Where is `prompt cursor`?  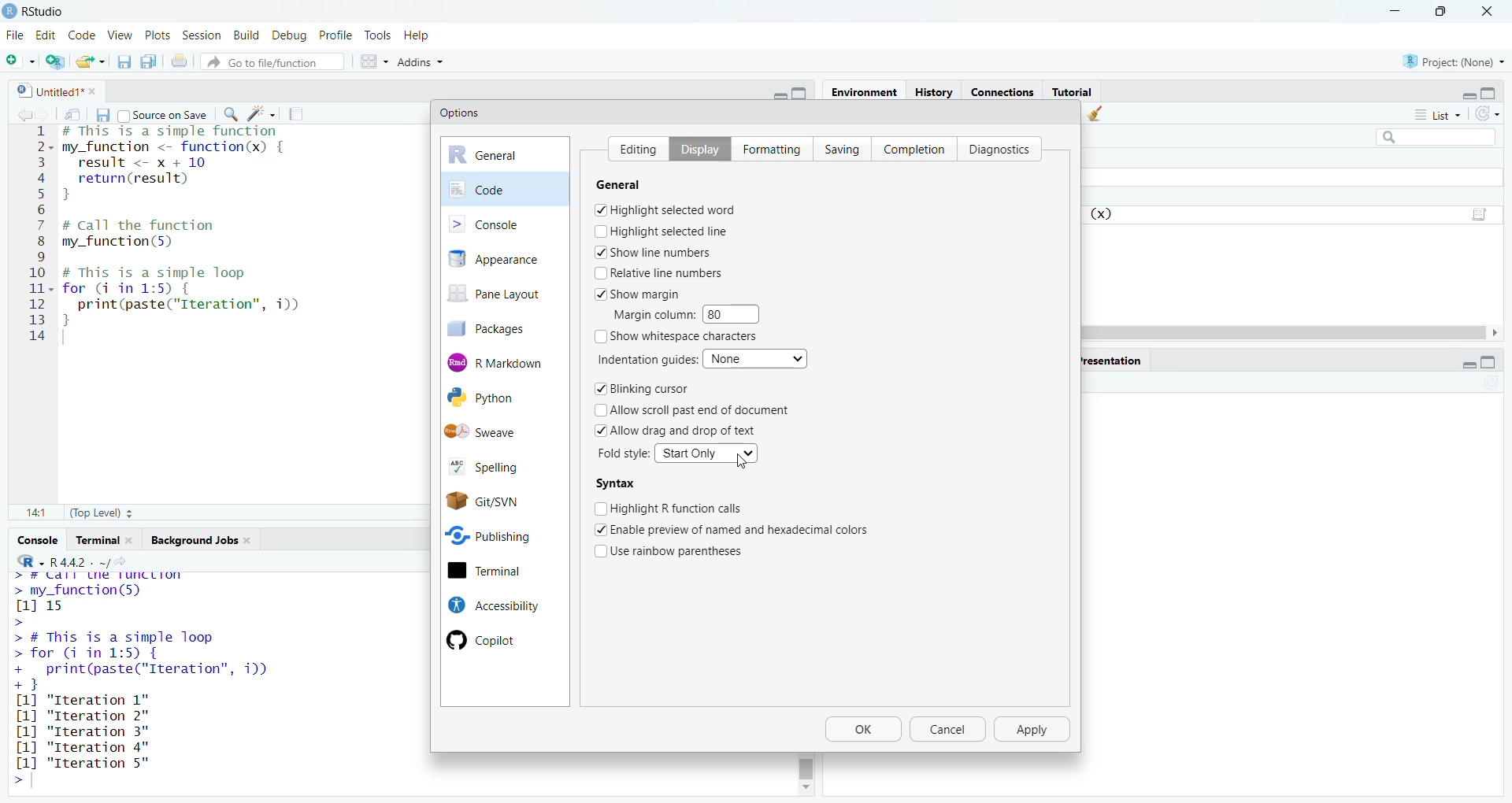 prompt cursor is located at coordinates (16, 781).